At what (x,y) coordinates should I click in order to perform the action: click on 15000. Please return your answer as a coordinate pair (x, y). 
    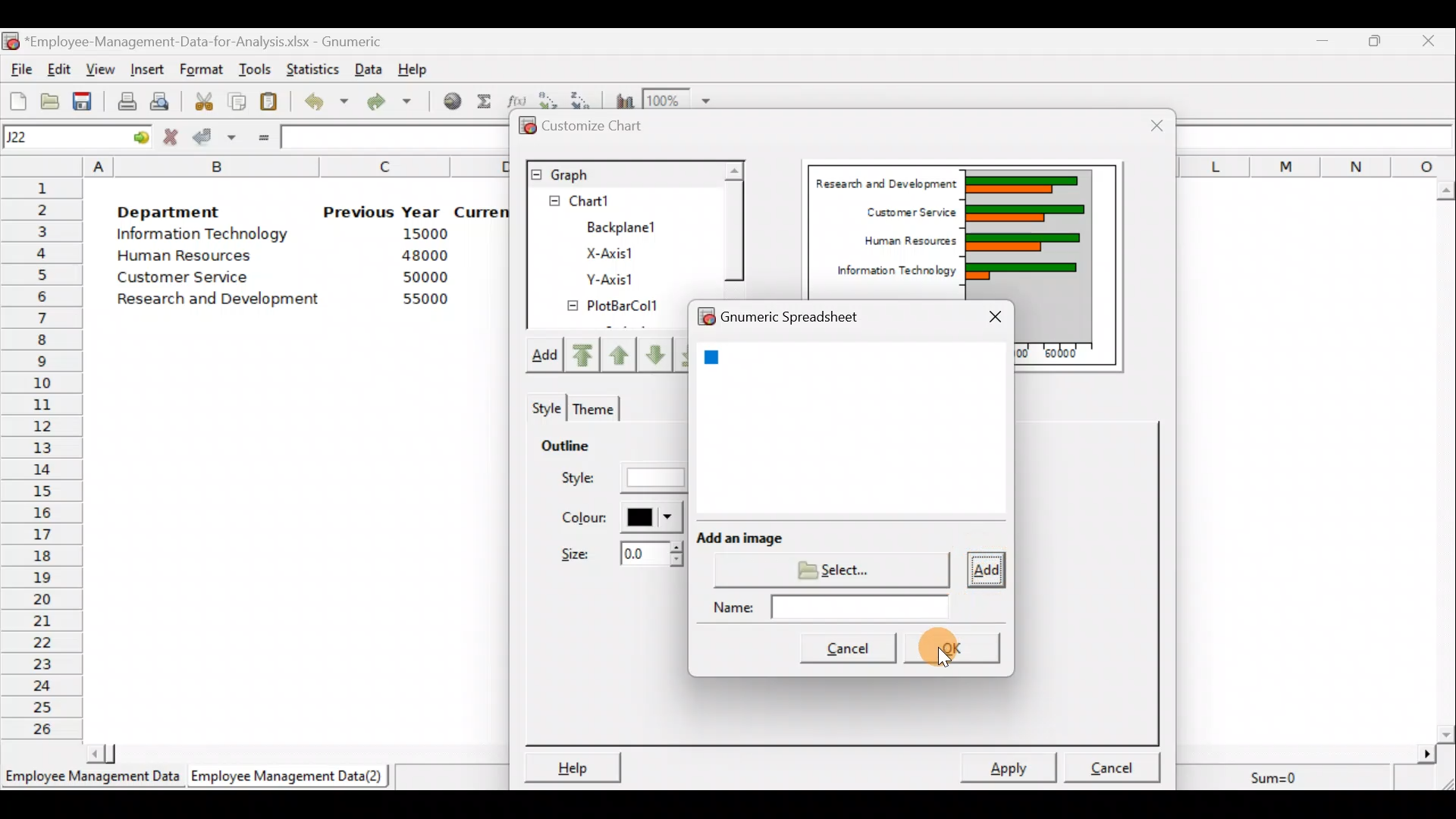
    Looking at the image, I should click on (420, 237).